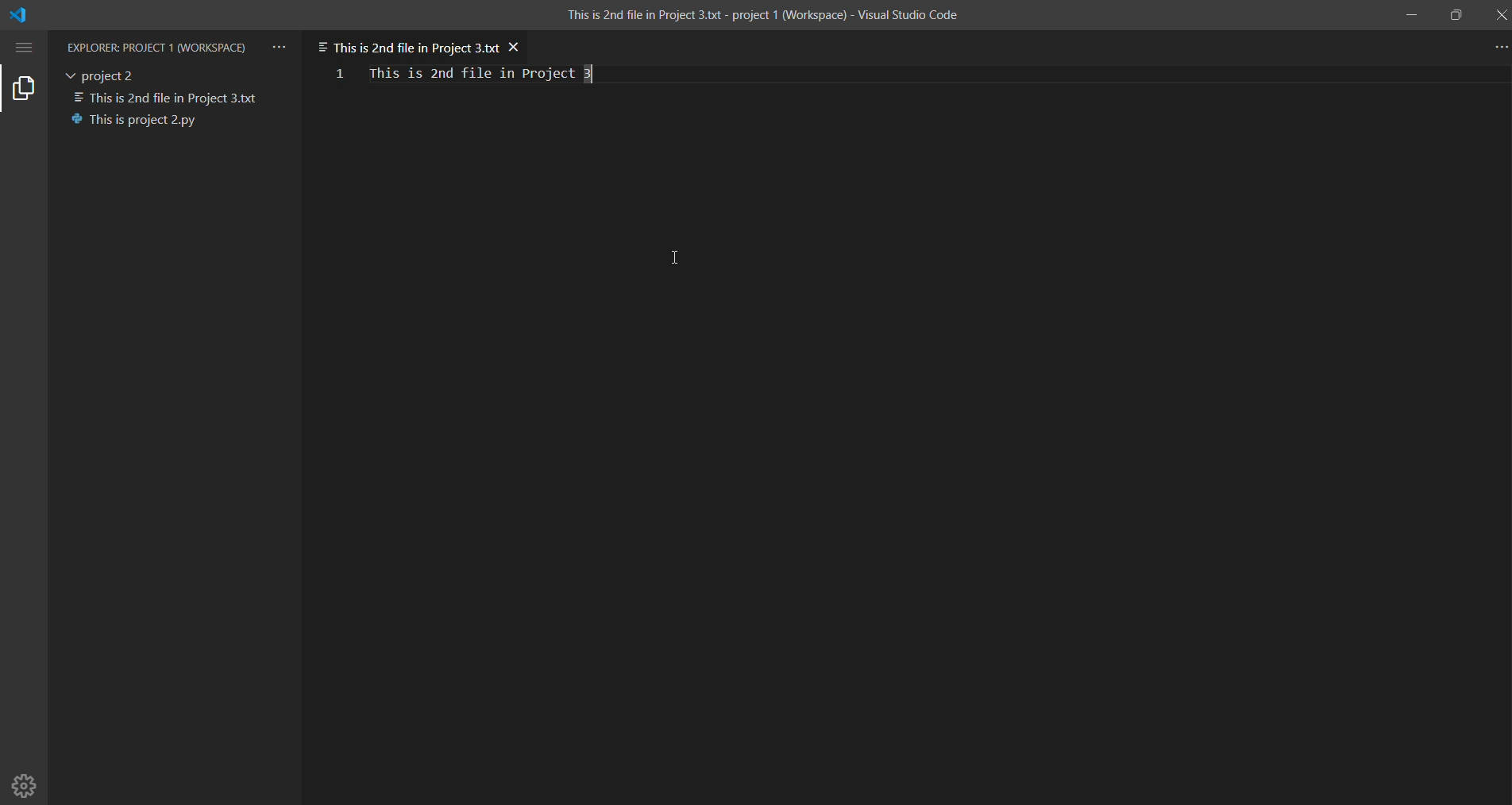  Describe the element at coordinates (681, 253) in the screenshot. I see `cursor` at that location.